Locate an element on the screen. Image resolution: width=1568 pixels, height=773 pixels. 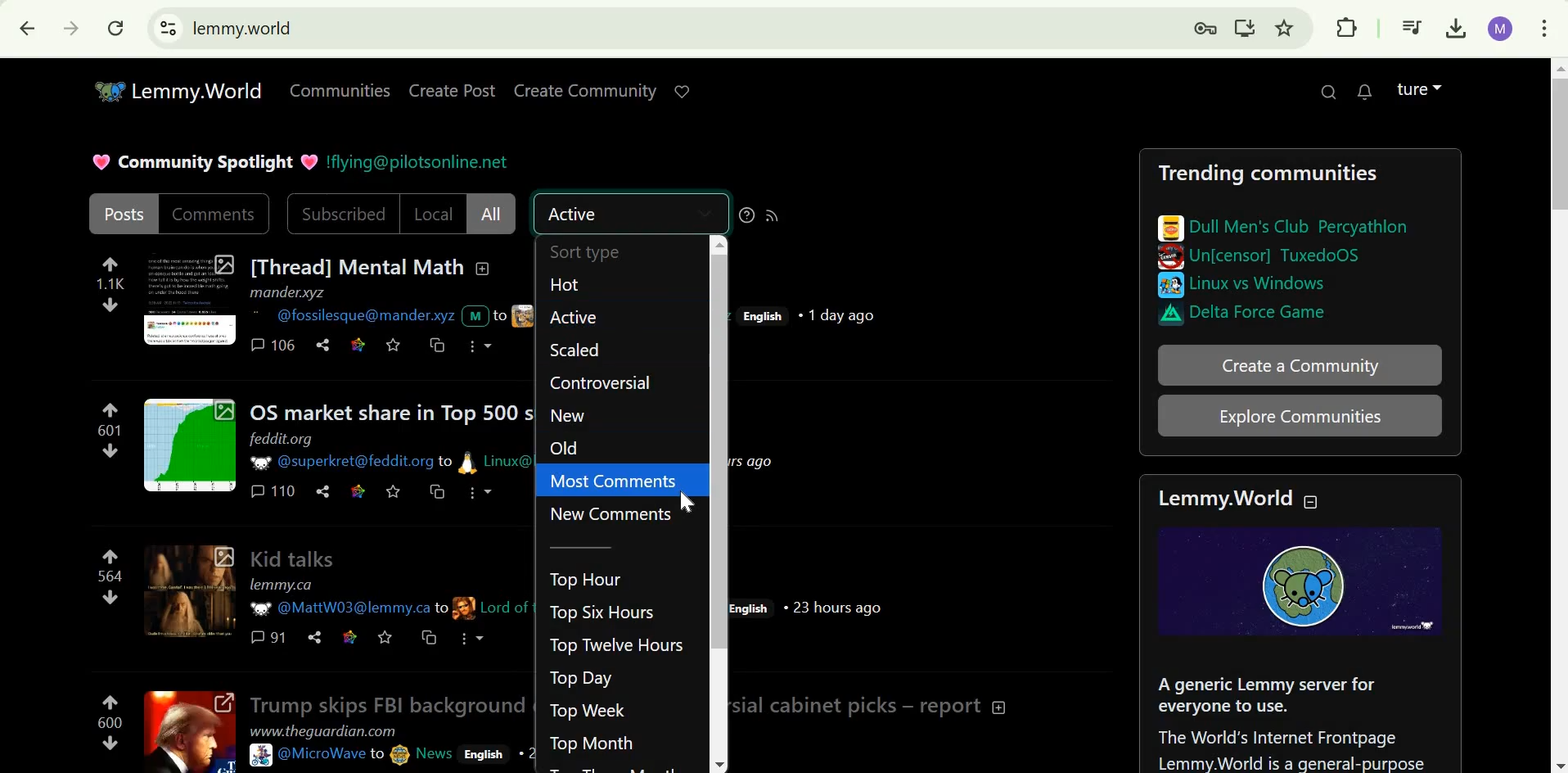
Account is located at coordinates (1418, 89).